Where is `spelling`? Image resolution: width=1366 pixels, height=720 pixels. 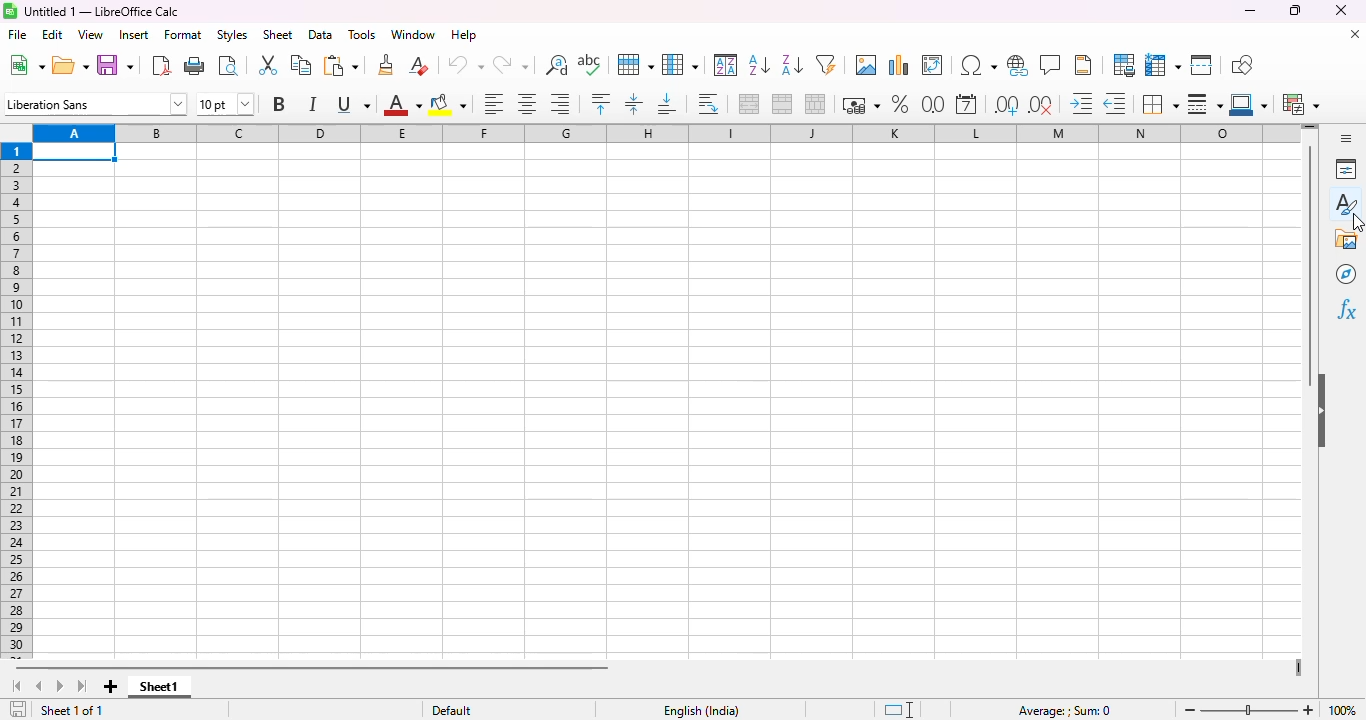
spelling is located at coordinates (590, 64).